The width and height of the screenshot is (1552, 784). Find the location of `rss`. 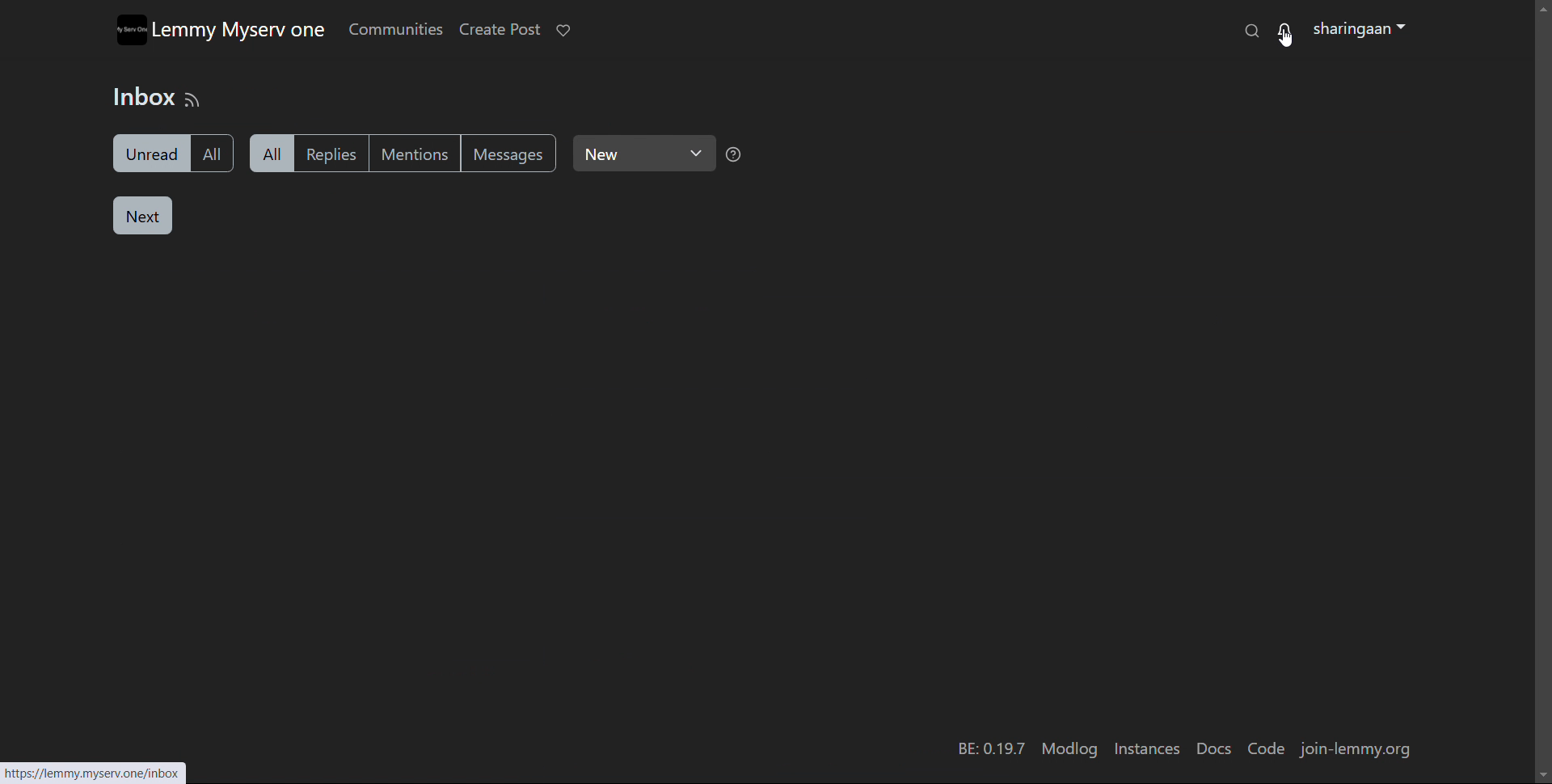

rss is located at coordinates (193, 99).